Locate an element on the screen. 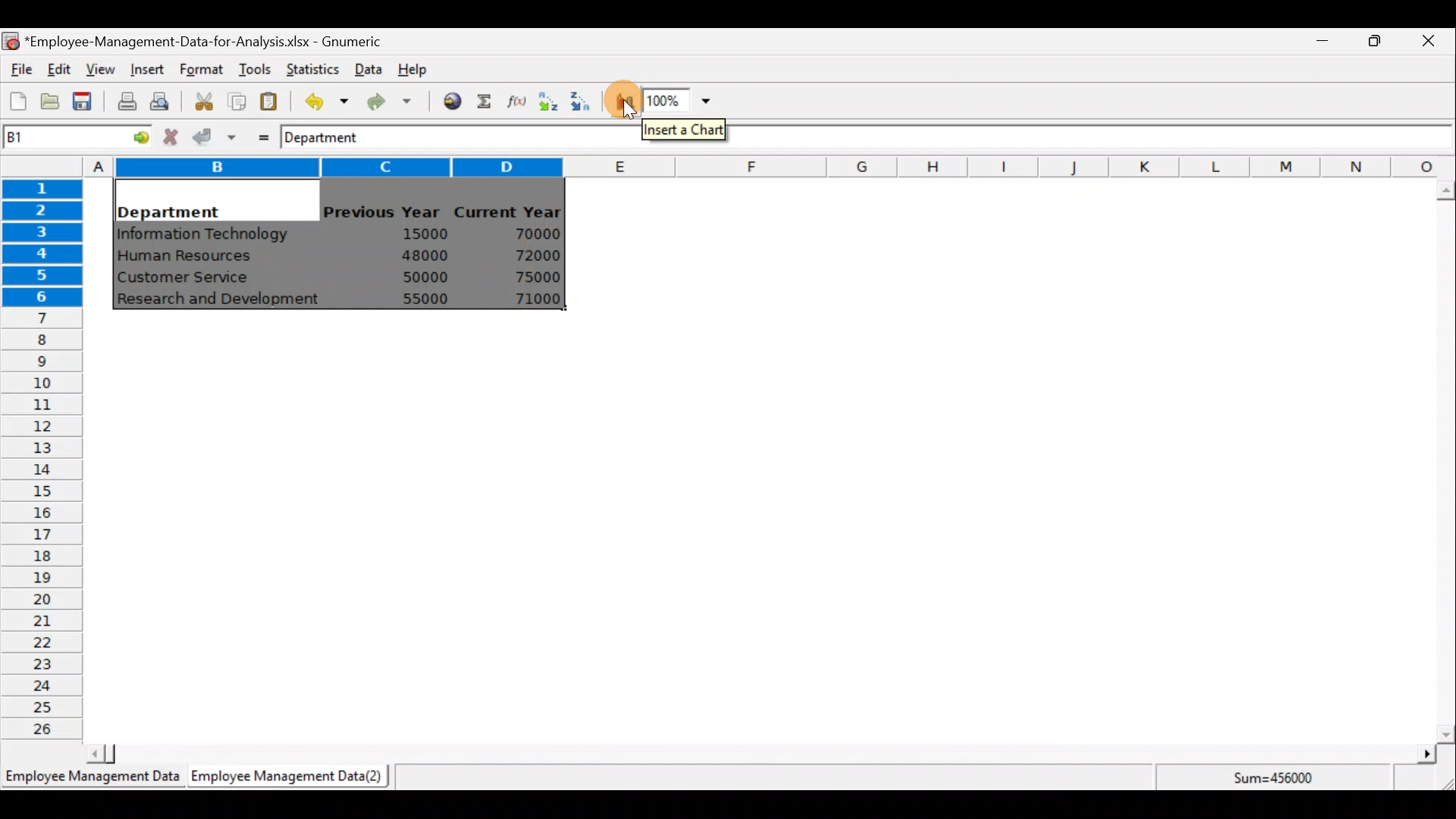 The height and width of the screenshot is (819, 1456). 48000 is located at coordinates (424, 256).